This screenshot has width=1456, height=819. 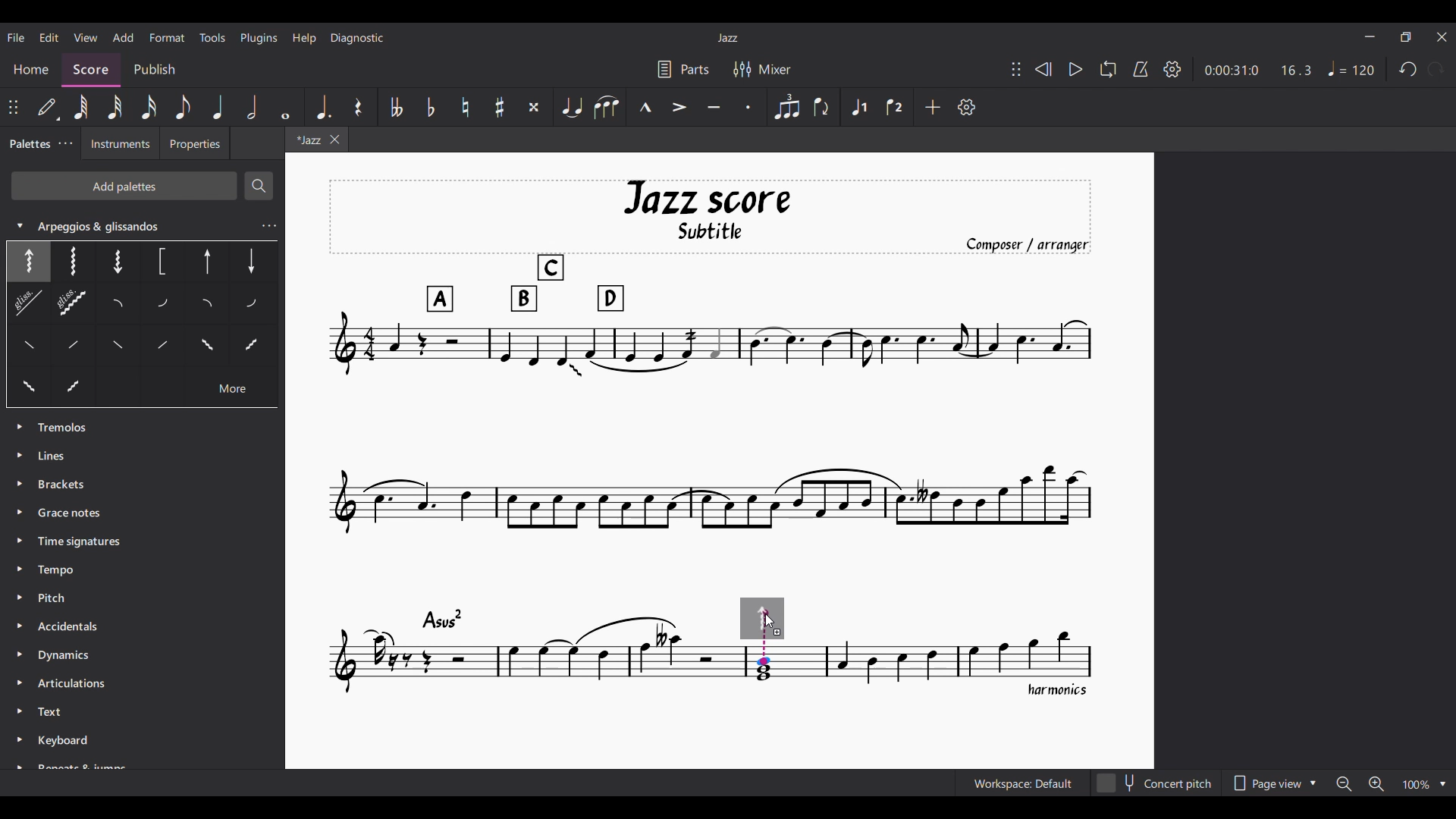 What do you see at coordinates (205, 263) in the screenshot?
I see `` at bounding box center [205, 263].